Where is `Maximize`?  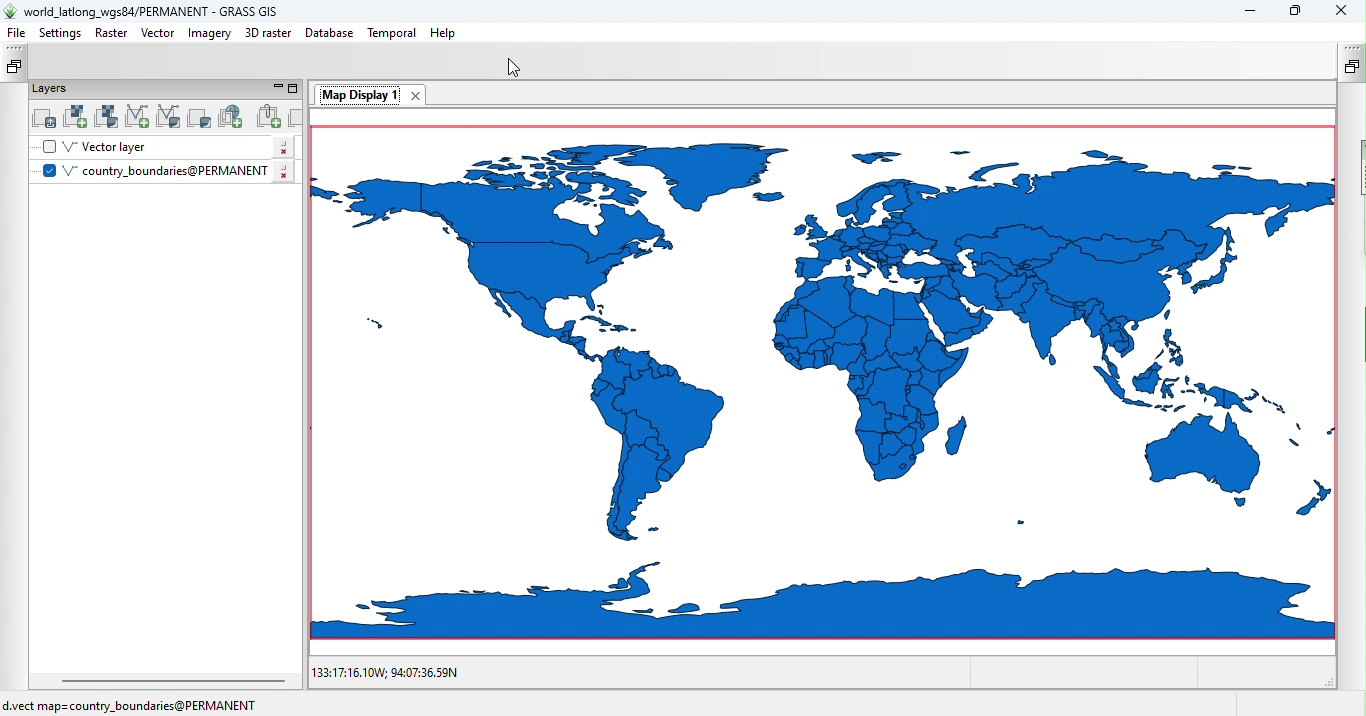 Maximize is located at coordinates (296, 88).